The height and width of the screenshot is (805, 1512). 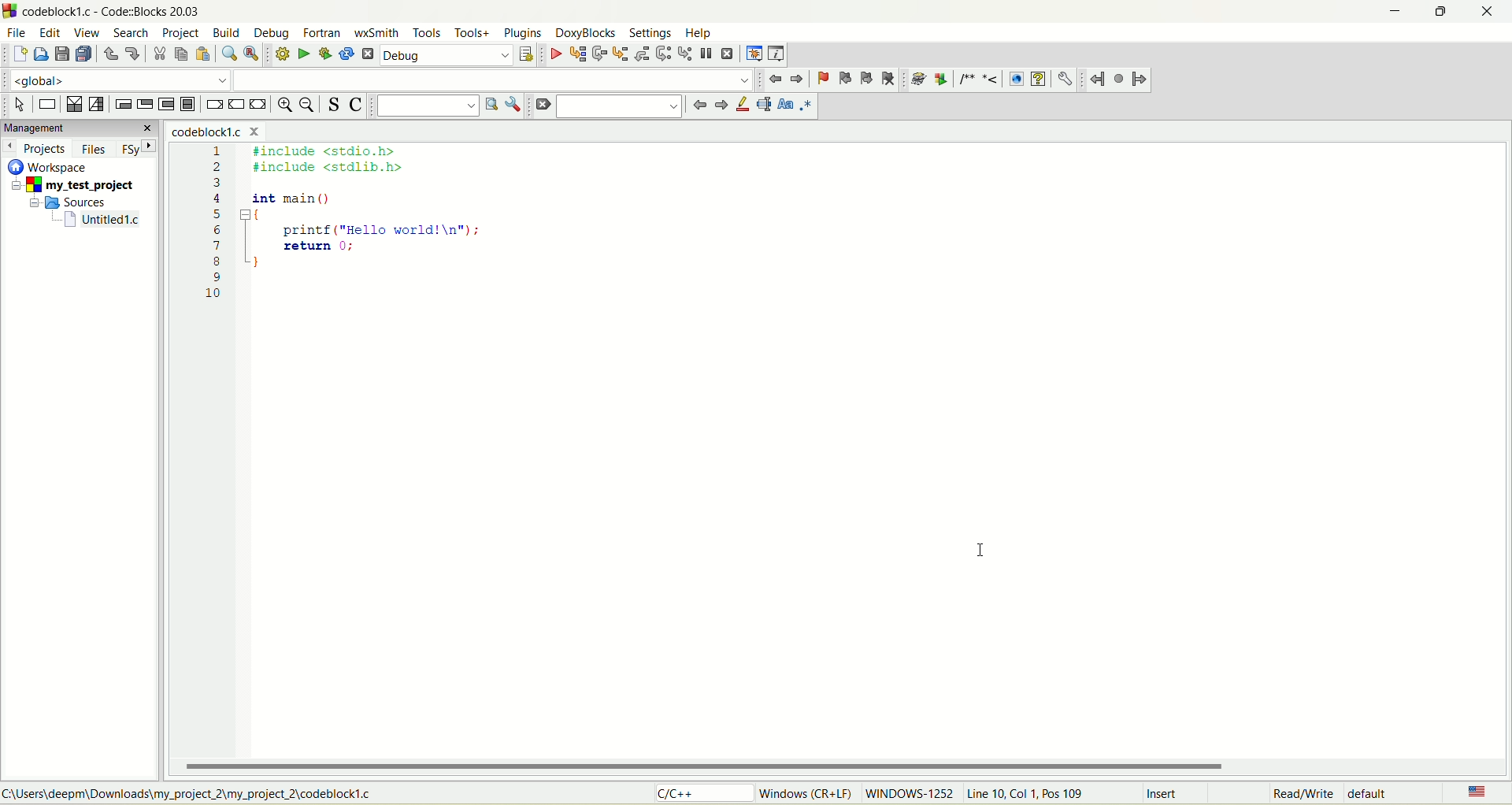 What do you see at coordinates (369, 57) in the screenshot?
I see `abort` at bounding box center [369, 57].